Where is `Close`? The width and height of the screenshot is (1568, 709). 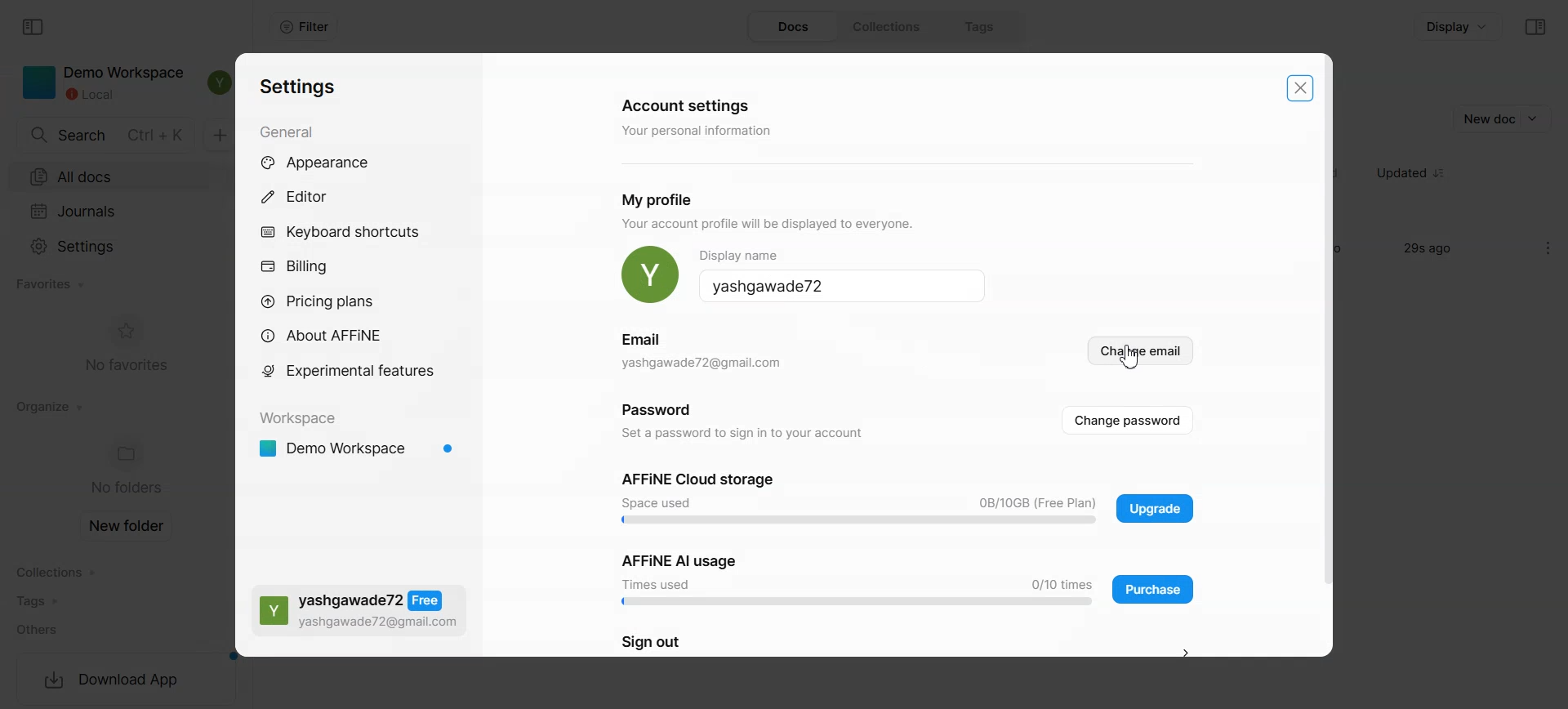
Close is located at coordinates (1297, 89).